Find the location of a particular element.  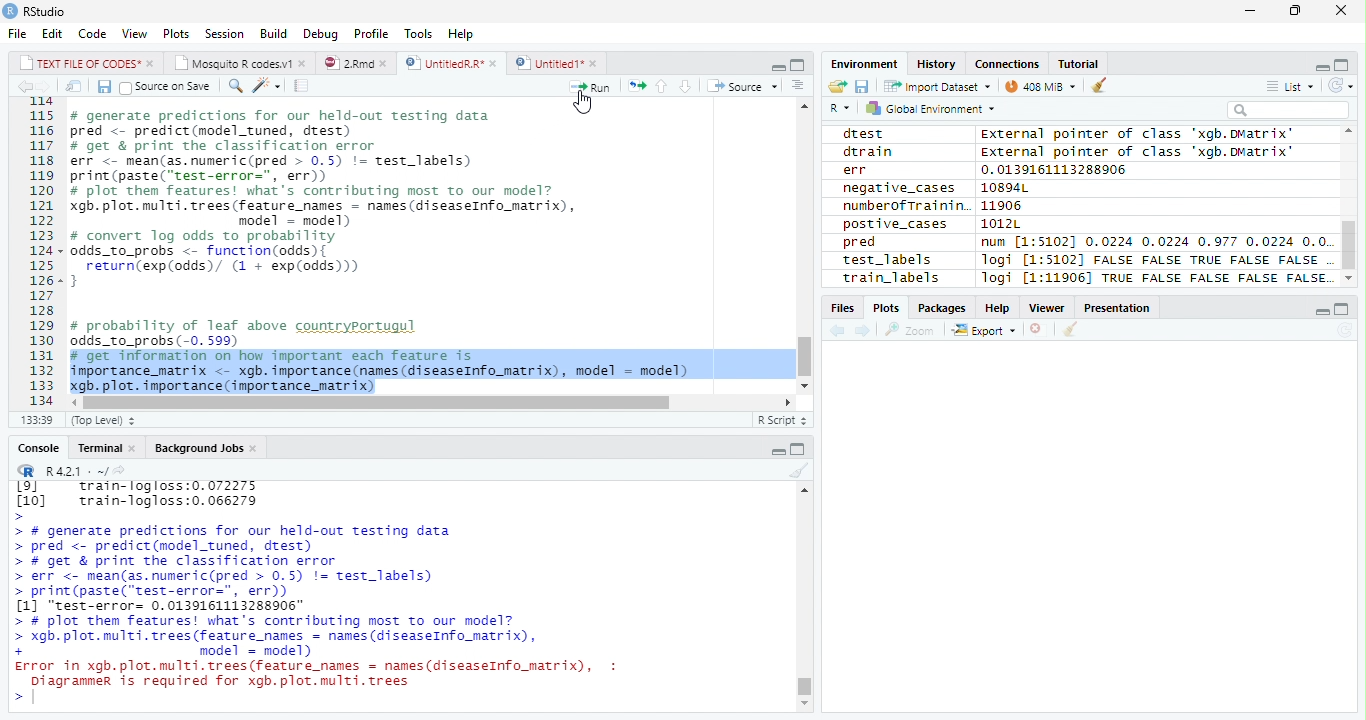

Plots is located at coordinates (174, 33).